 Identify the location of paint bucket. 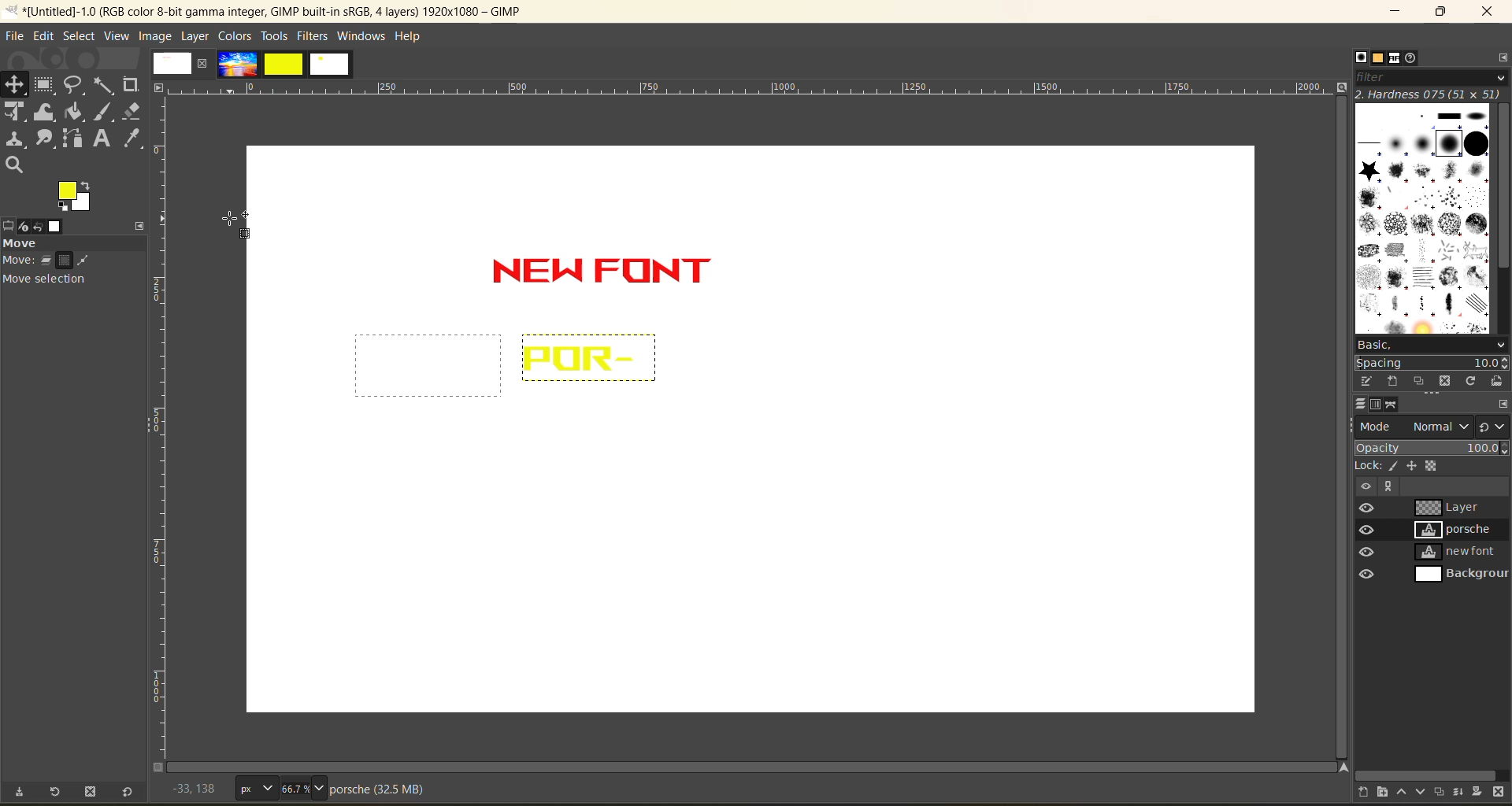
(74, 111).